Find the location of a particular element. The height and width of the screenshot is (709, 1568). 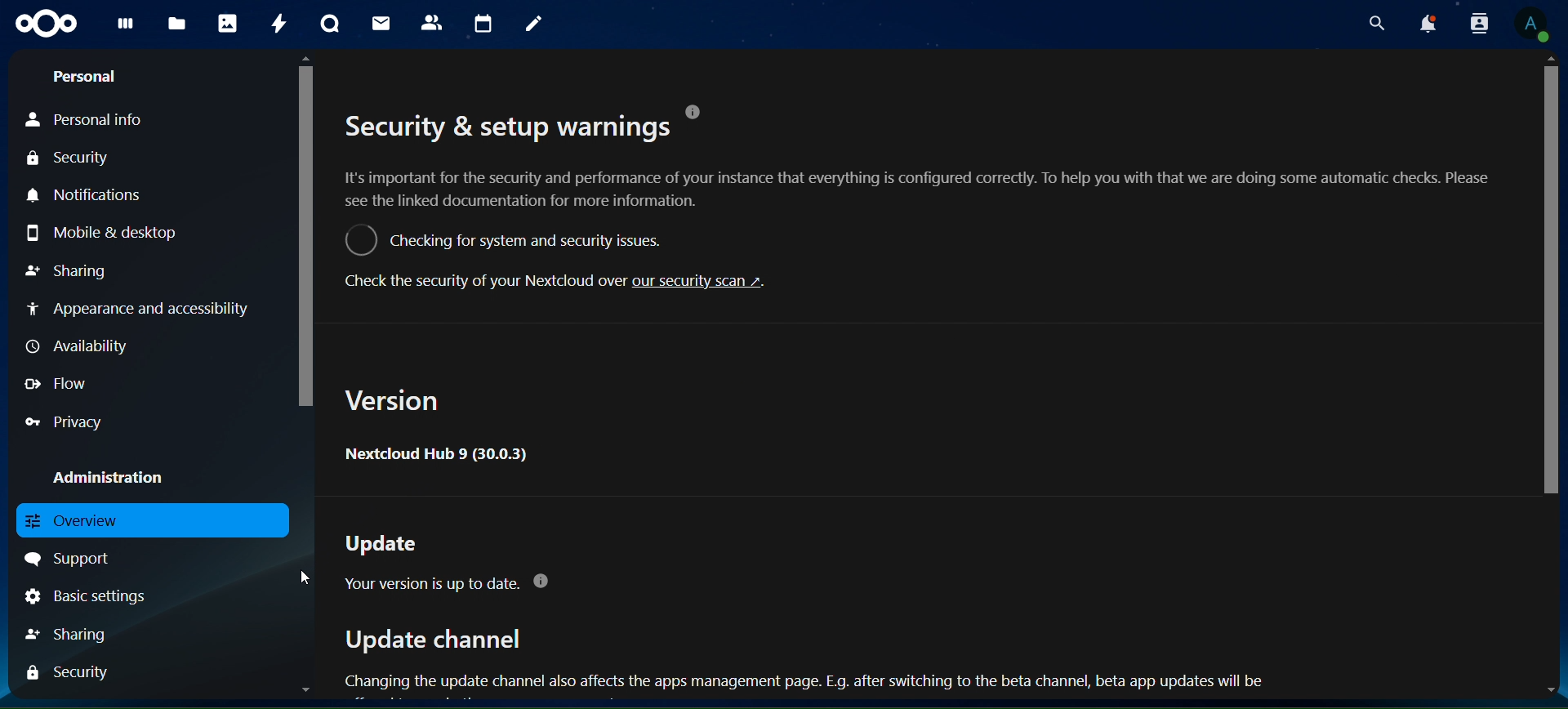

files is located at coordinates (178, 22).